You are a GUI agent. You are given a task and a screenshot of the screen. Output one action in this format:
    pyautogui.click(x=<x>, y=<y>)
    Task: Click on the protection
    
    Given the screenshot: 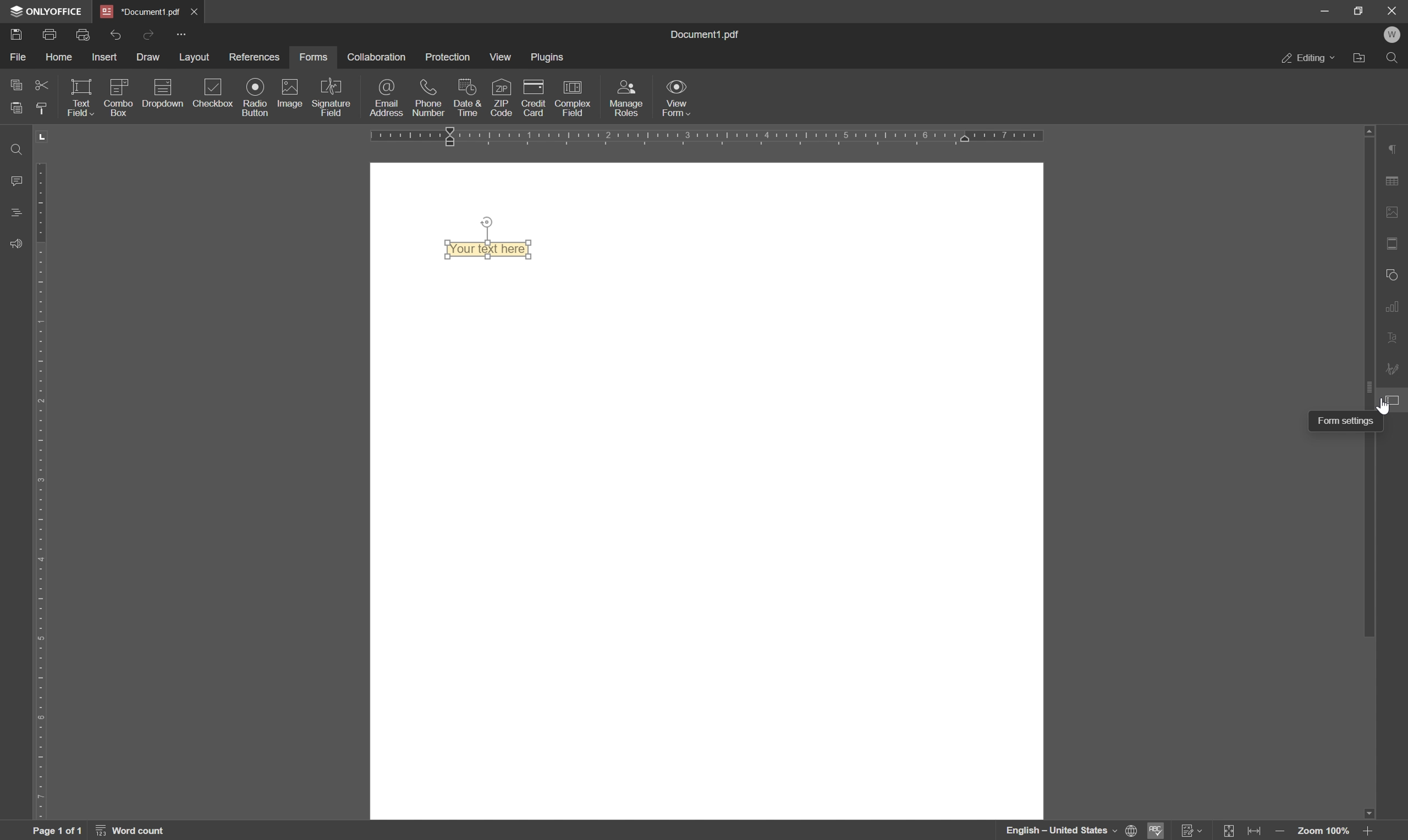 What is the action you would take?
    pyautogui.click(x=449, y=55)
    